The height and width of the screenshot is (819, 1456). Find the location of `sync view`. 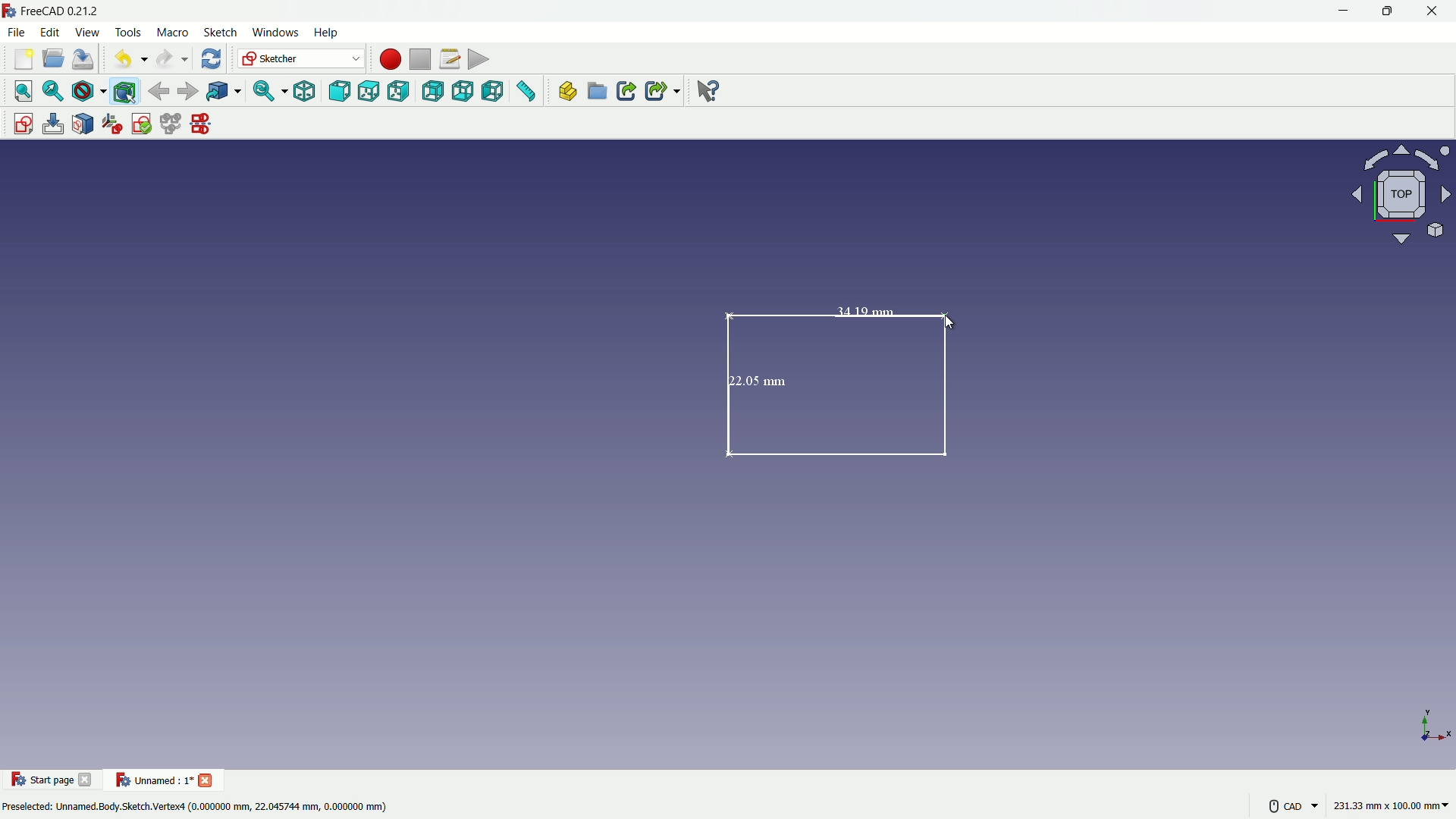

sync view is located at coordinates (265, 92).